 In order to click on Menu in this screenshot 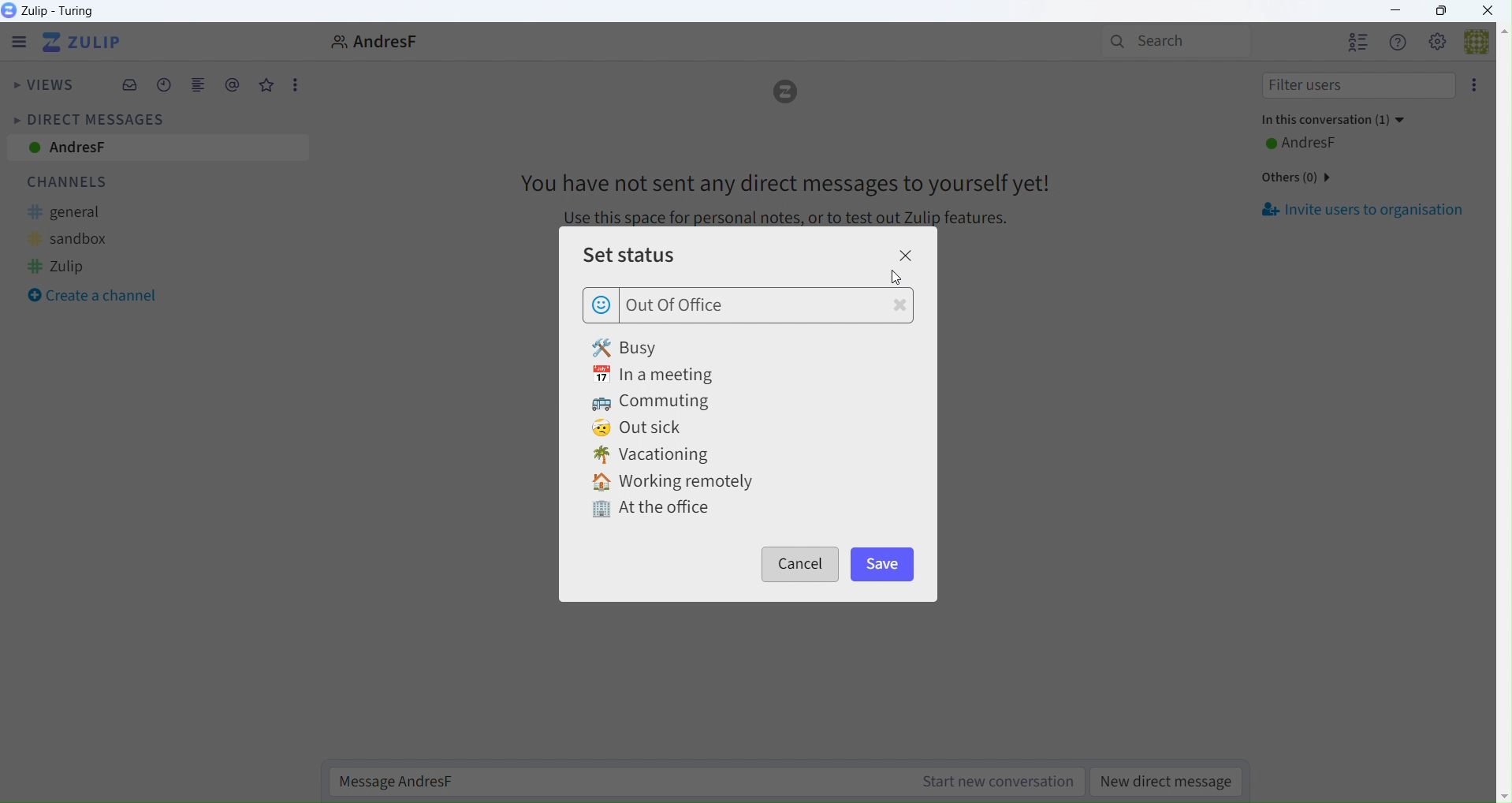, I will do `click(15, 42)`.